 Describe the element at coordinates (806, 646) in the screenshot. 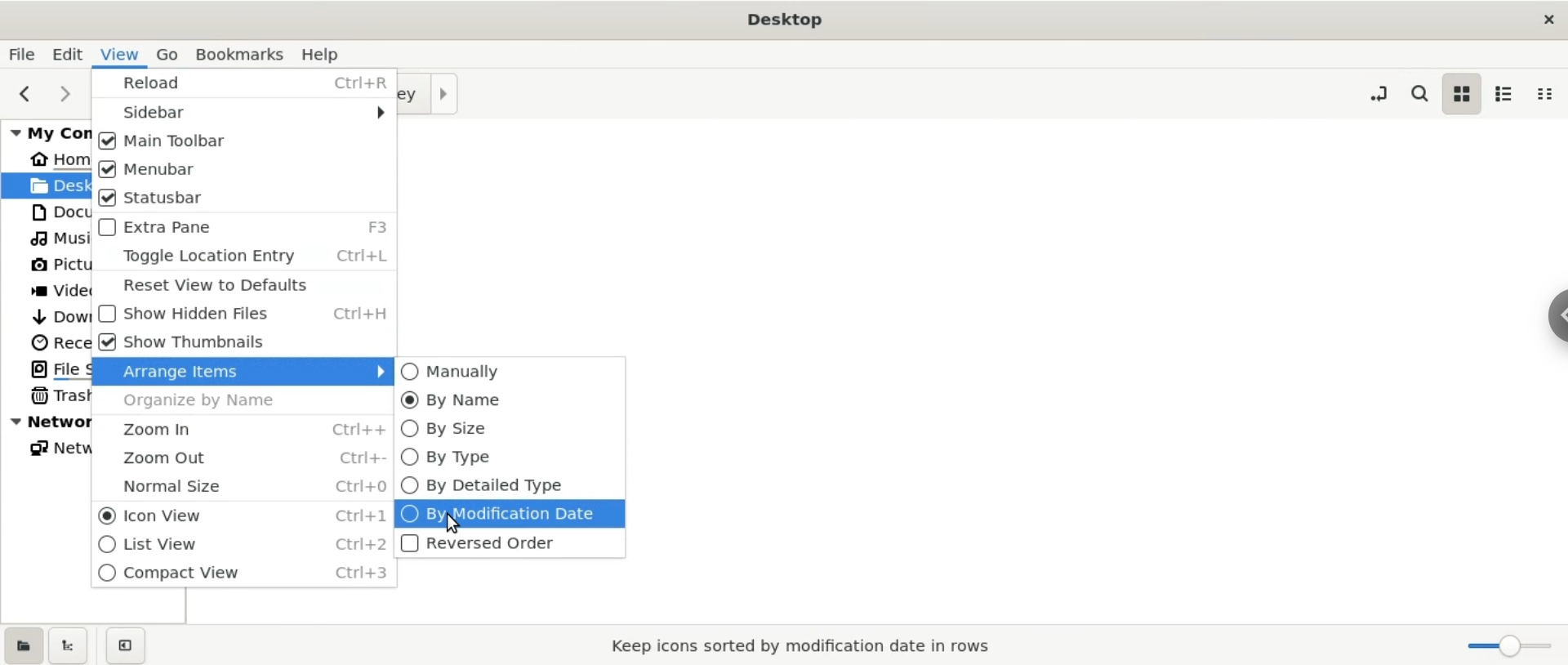

I see `keep icons sorted by modification date in rows` at that location.